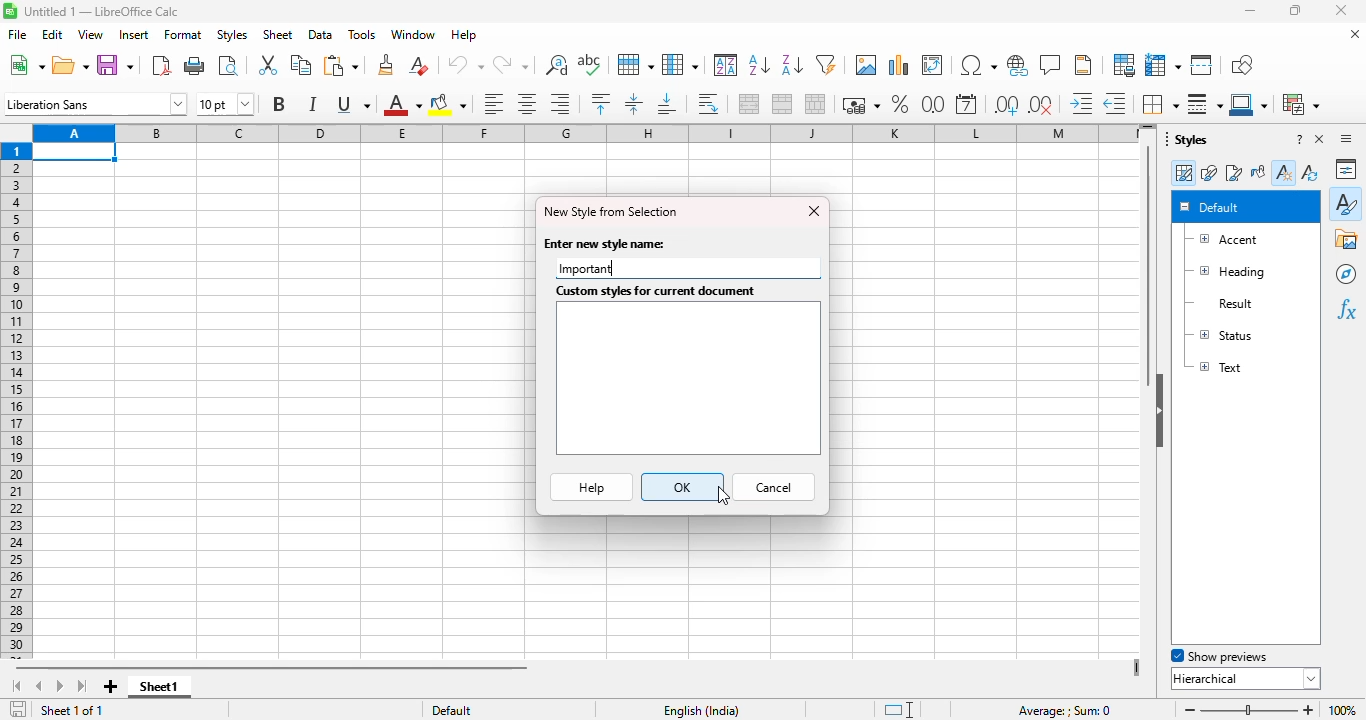 Image resolution: width=1366 pixels, height=720 pixels. I want to click on help about this sidebar deck, so click(1299, 138).